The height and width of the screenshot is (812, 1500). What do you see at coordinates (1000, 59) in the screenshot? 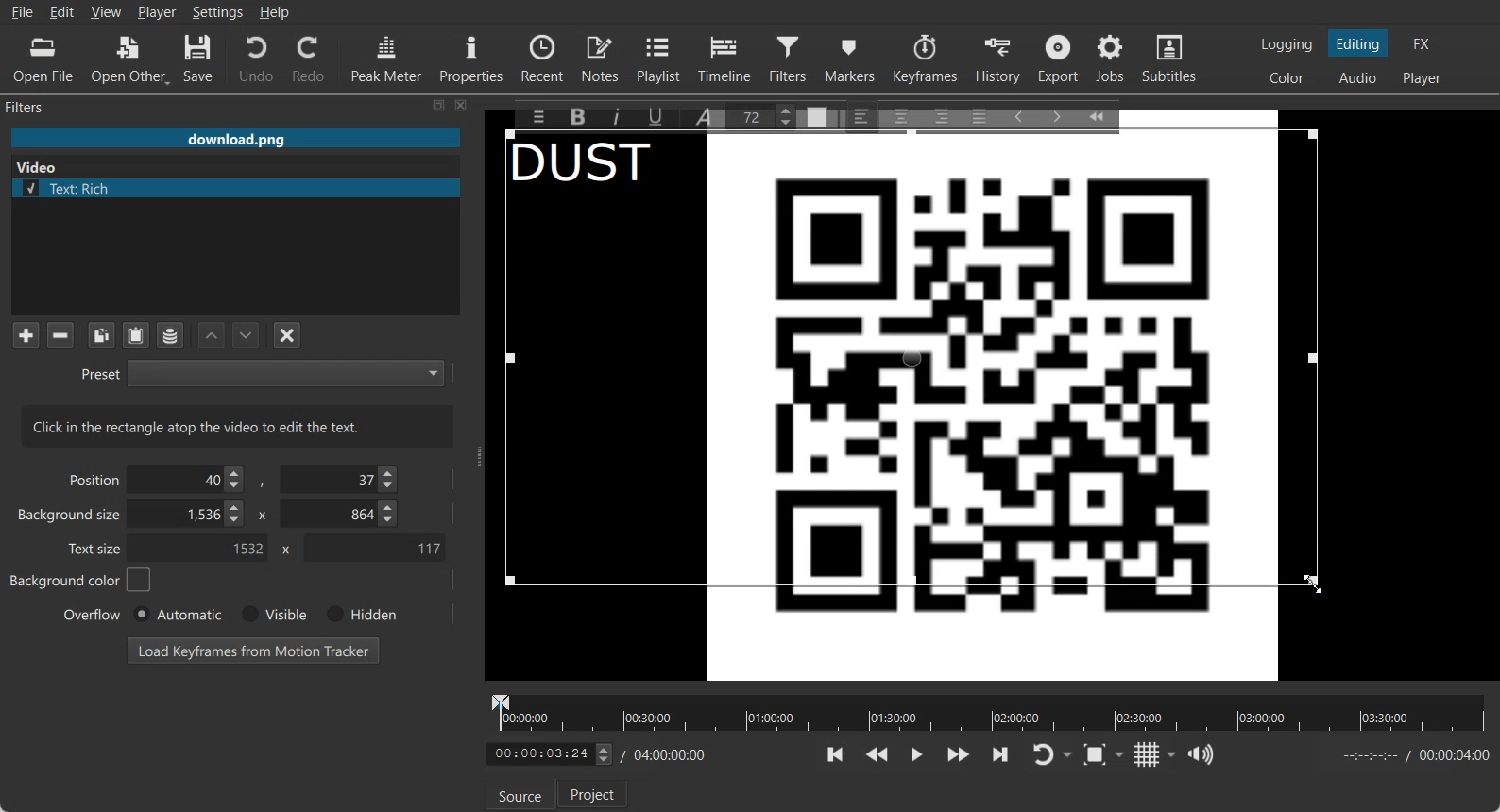
I see `History` at bounding box center [1000, 59].